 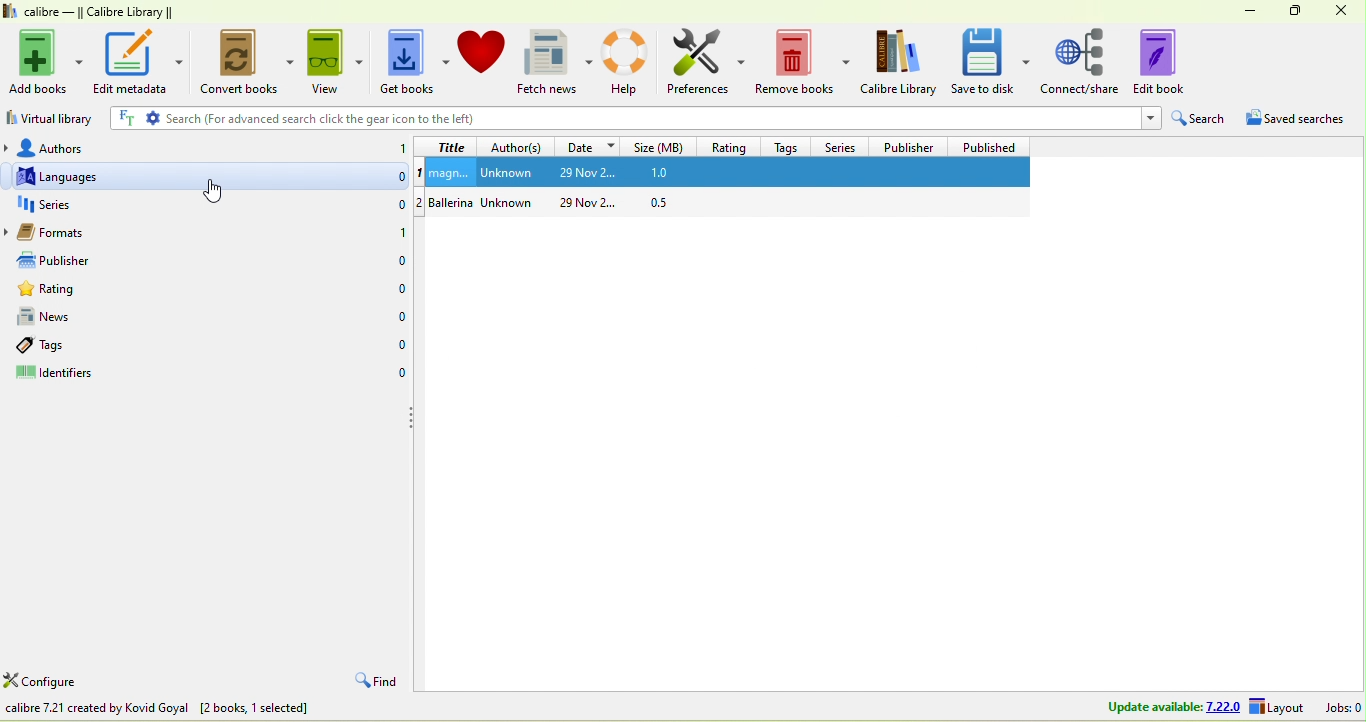 I want to click on cursor movement, so click(x=216, y=192).